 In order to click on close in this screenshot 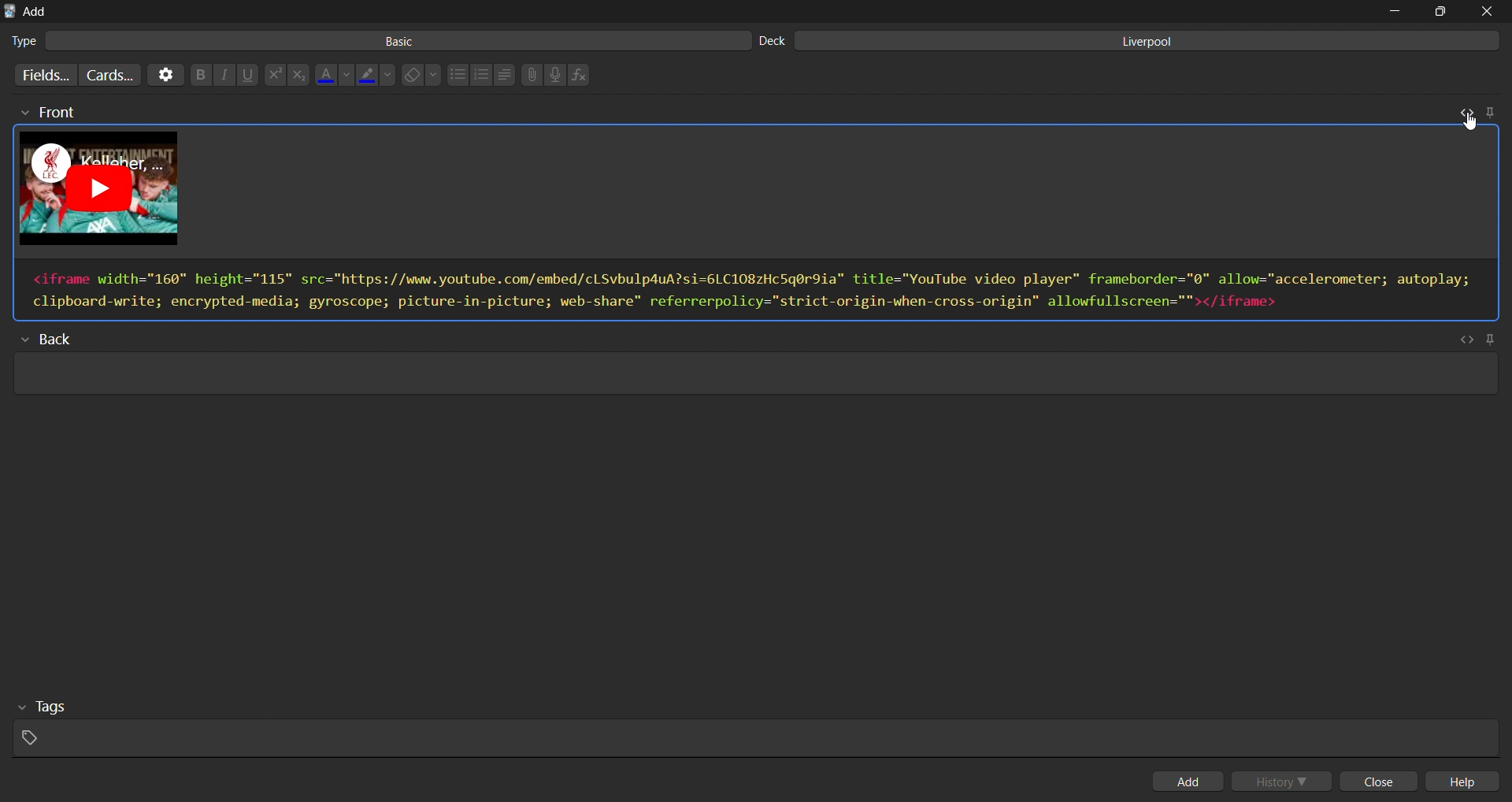, I will do `click(1383, 782)`.